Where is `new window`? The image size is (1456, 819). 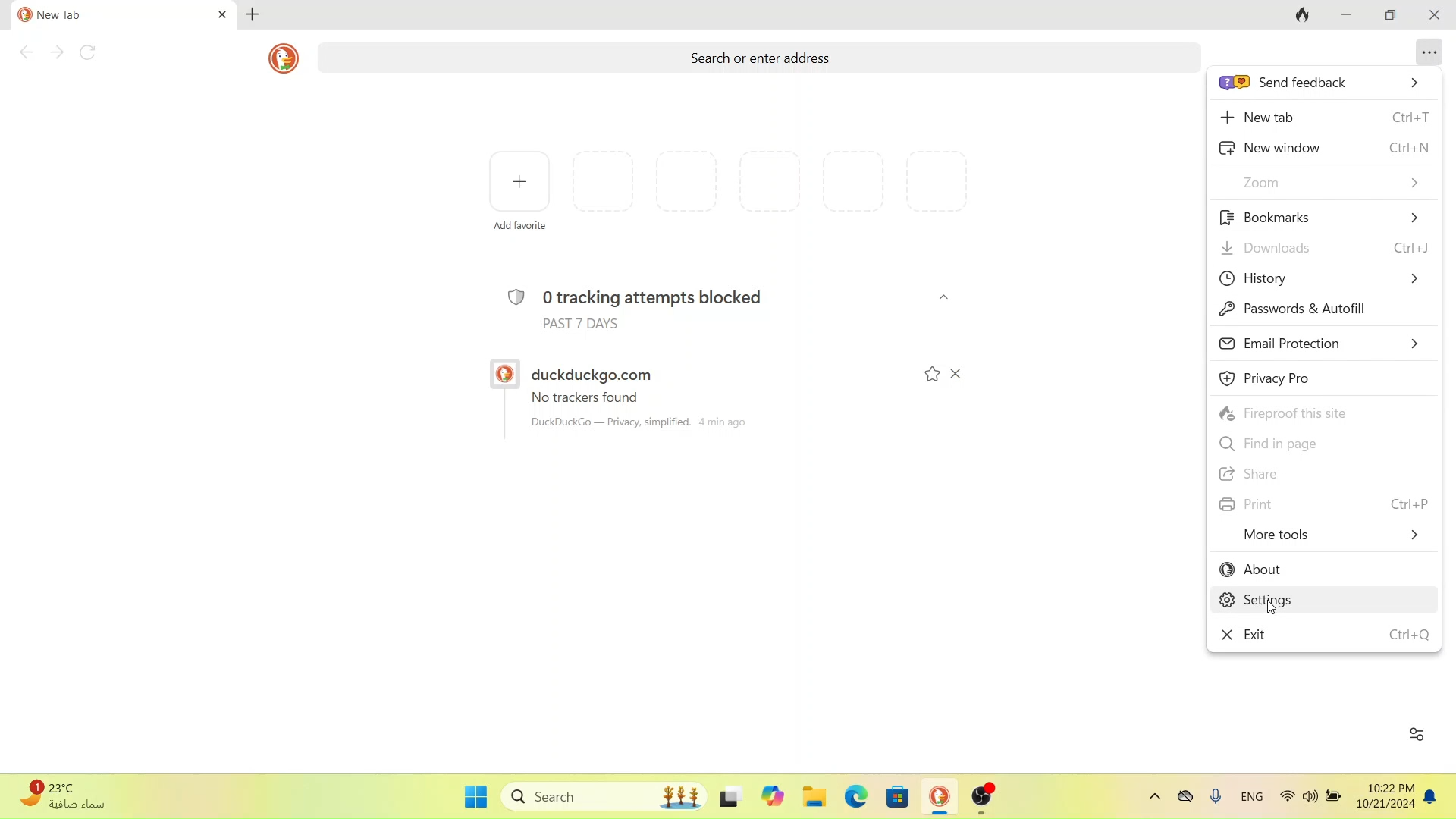
new window is located at coordinates (1327, 148).